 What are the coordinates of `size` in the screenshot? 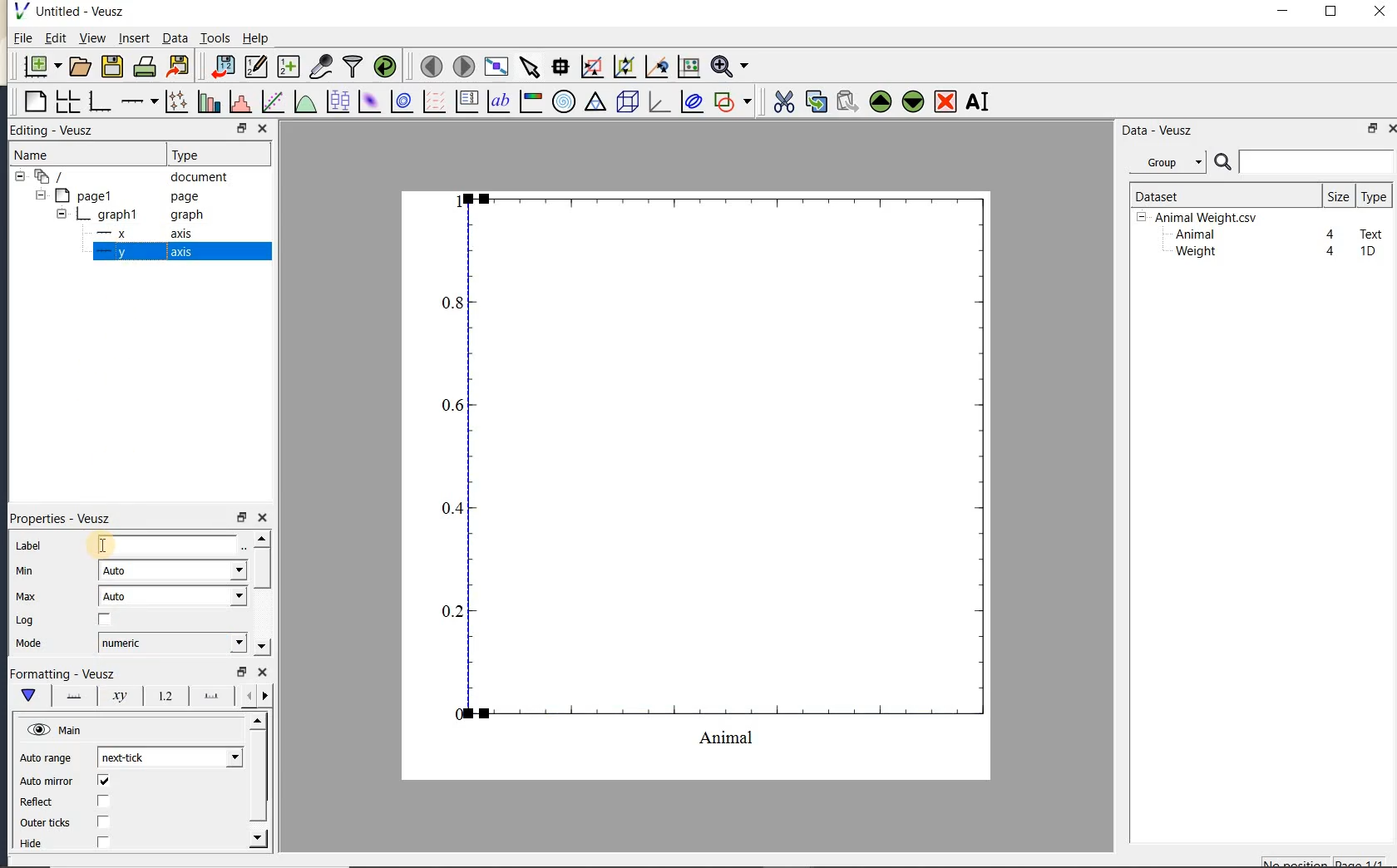 It's located at (1338, 195).